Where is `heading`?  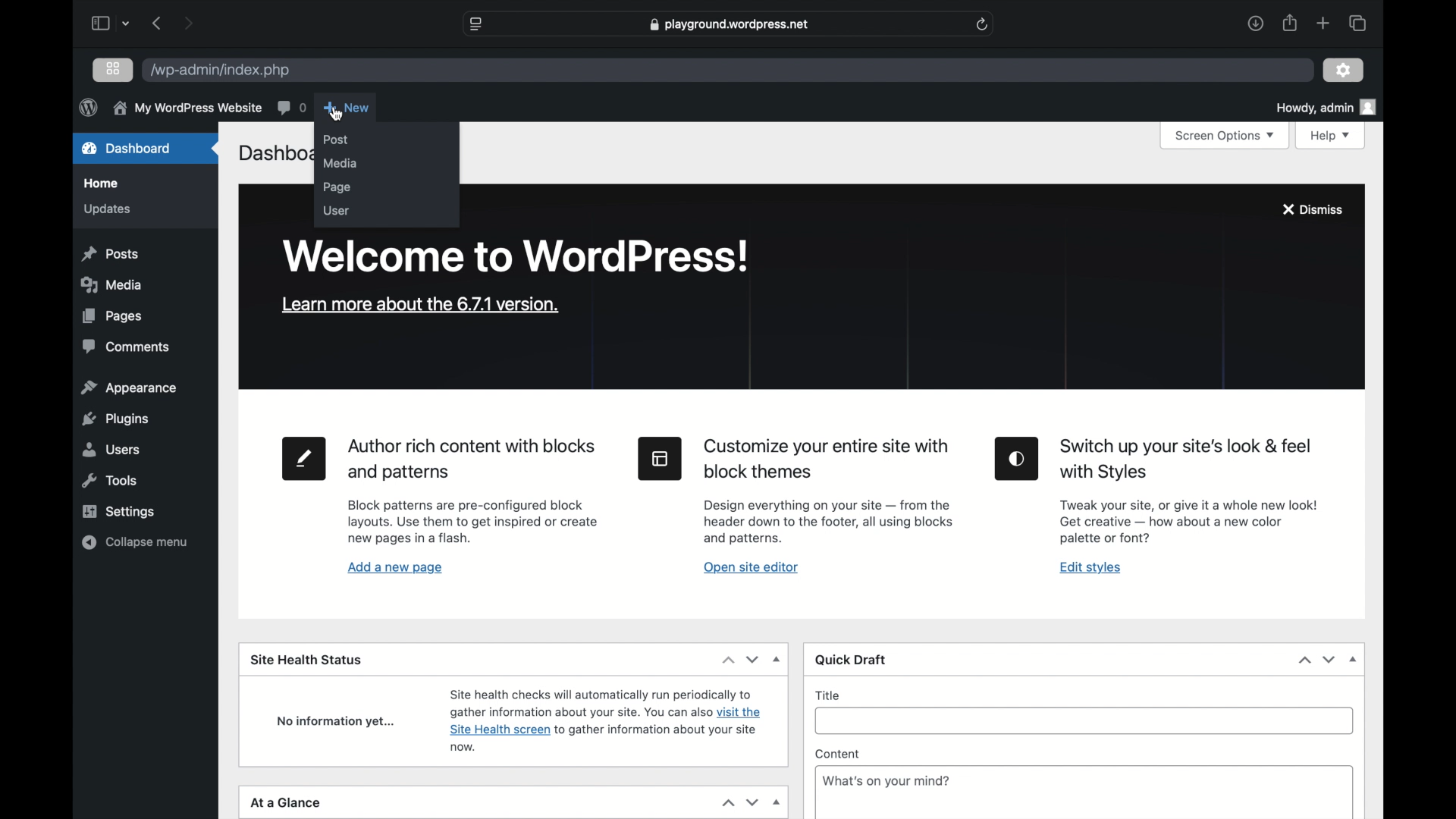 heading is located at coordinates (829, 460).